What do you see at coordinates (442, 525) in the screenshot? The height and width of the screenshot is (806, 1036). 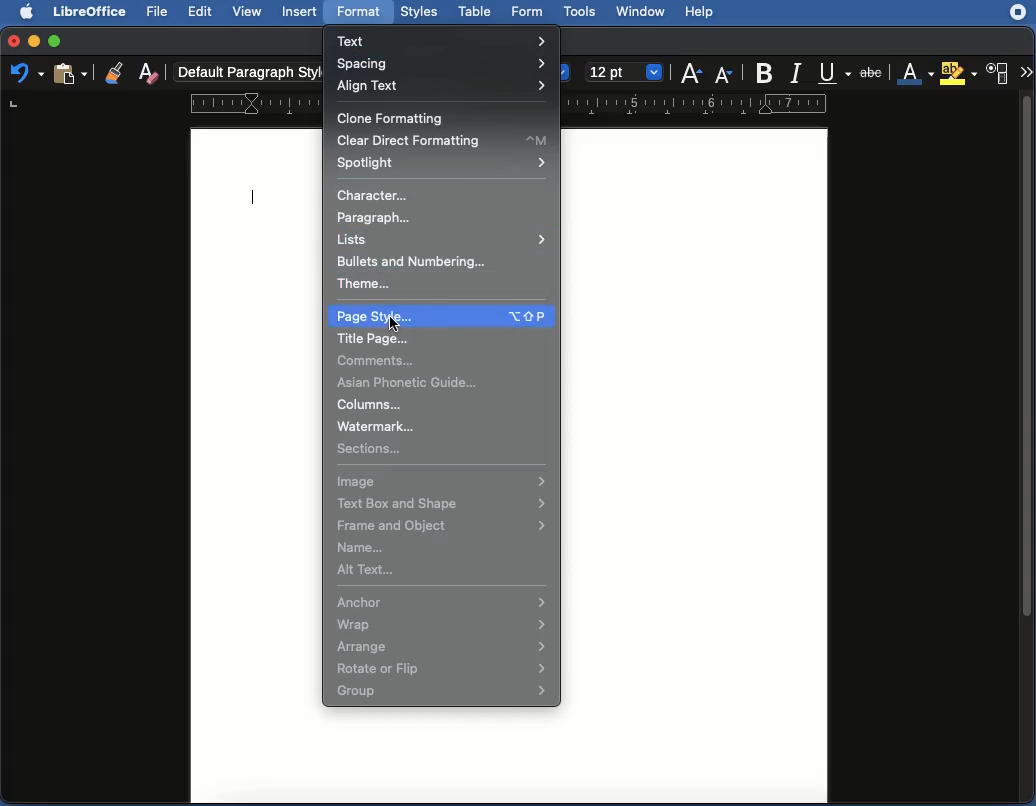 I see `Frame and object` at bounding box center [442, 525].